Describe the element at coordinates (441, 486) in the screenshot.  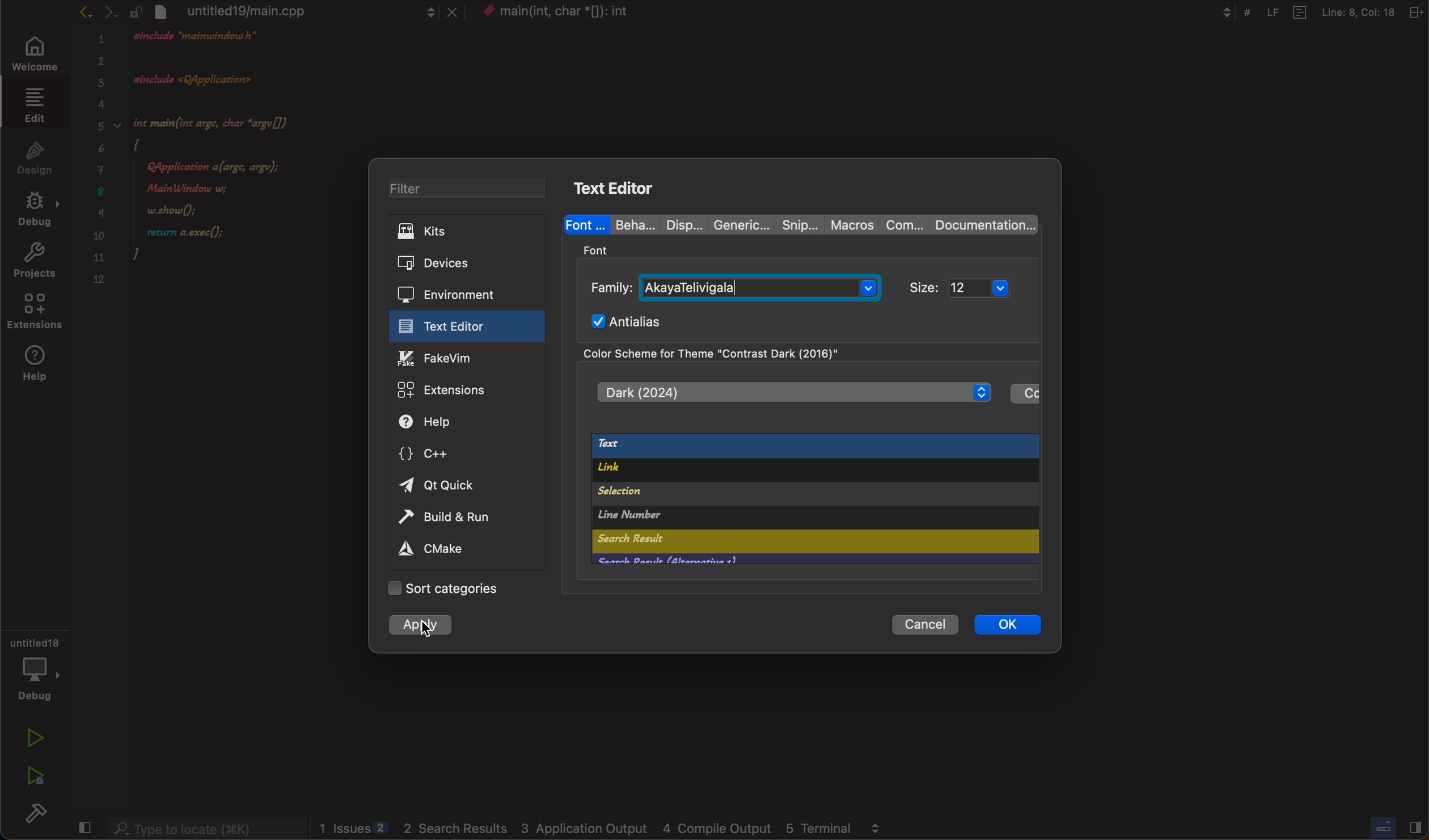
I see `quick` at that location.